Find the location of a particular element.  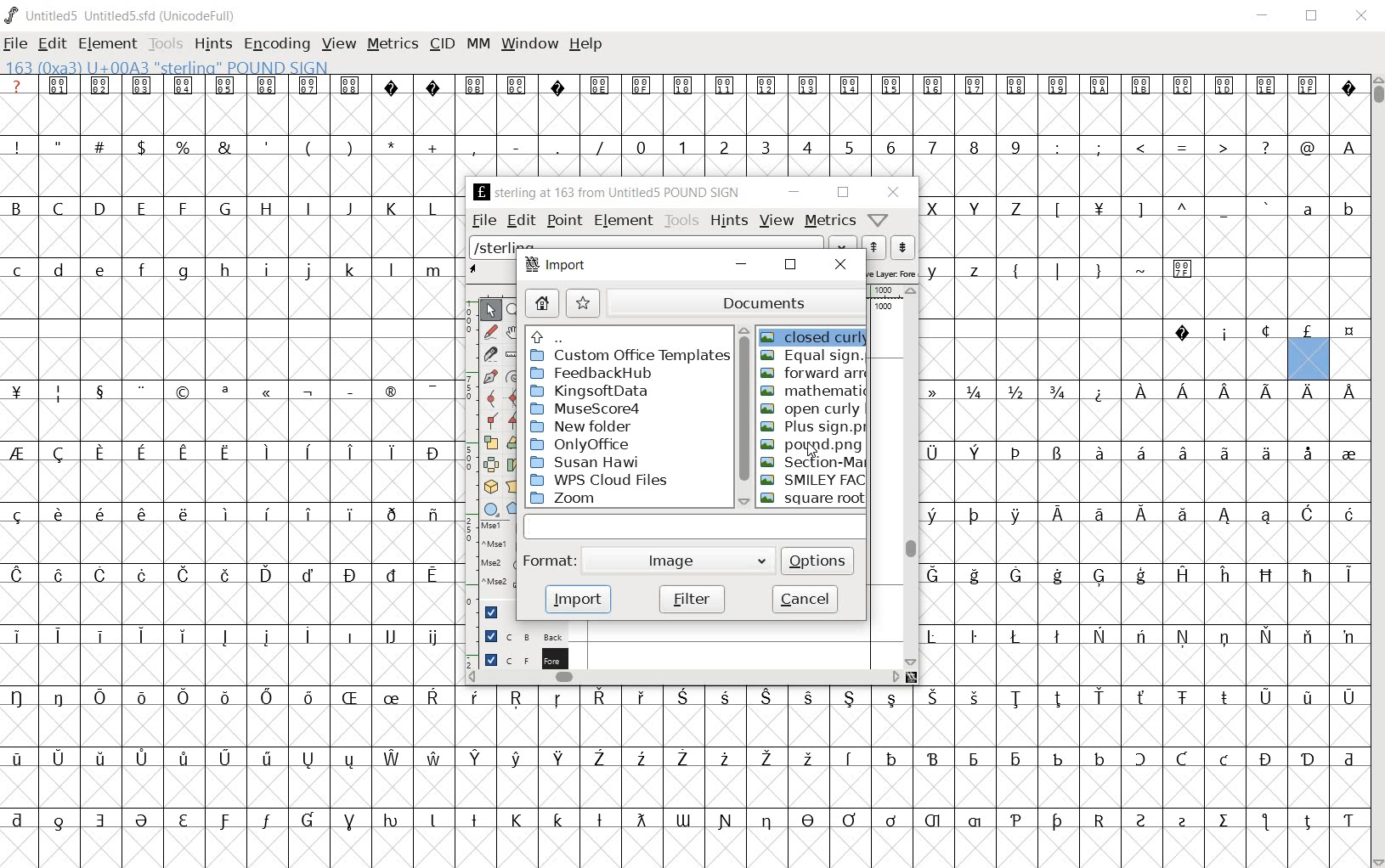

3 is located at coordinates (765, 146).